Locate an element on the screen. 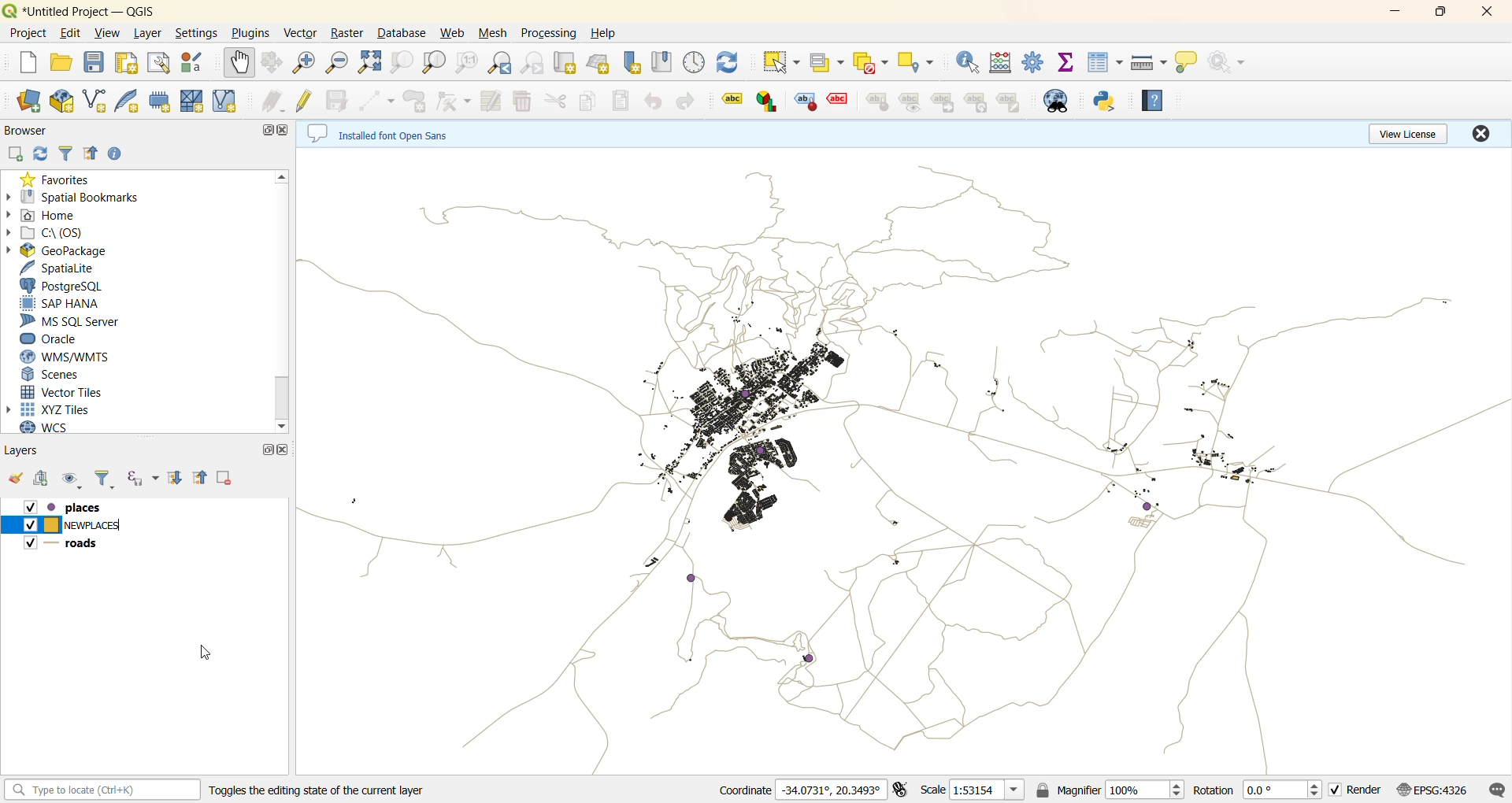 The height and width of the screenshot is (803, 1512). zoom selection is located at coordinates (402, 65).